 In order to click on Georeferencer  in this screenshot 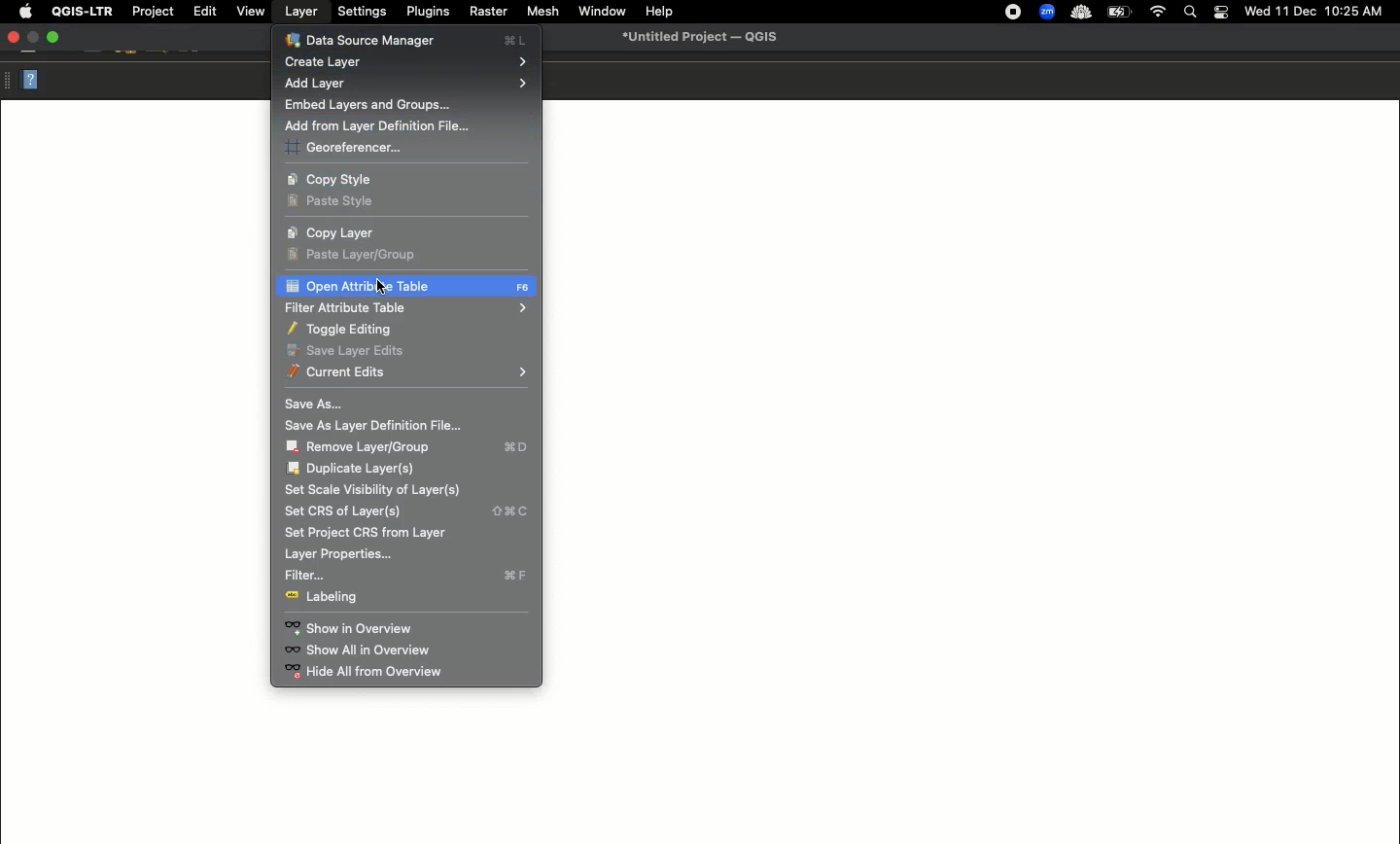, I will do `click(344, 149)`.